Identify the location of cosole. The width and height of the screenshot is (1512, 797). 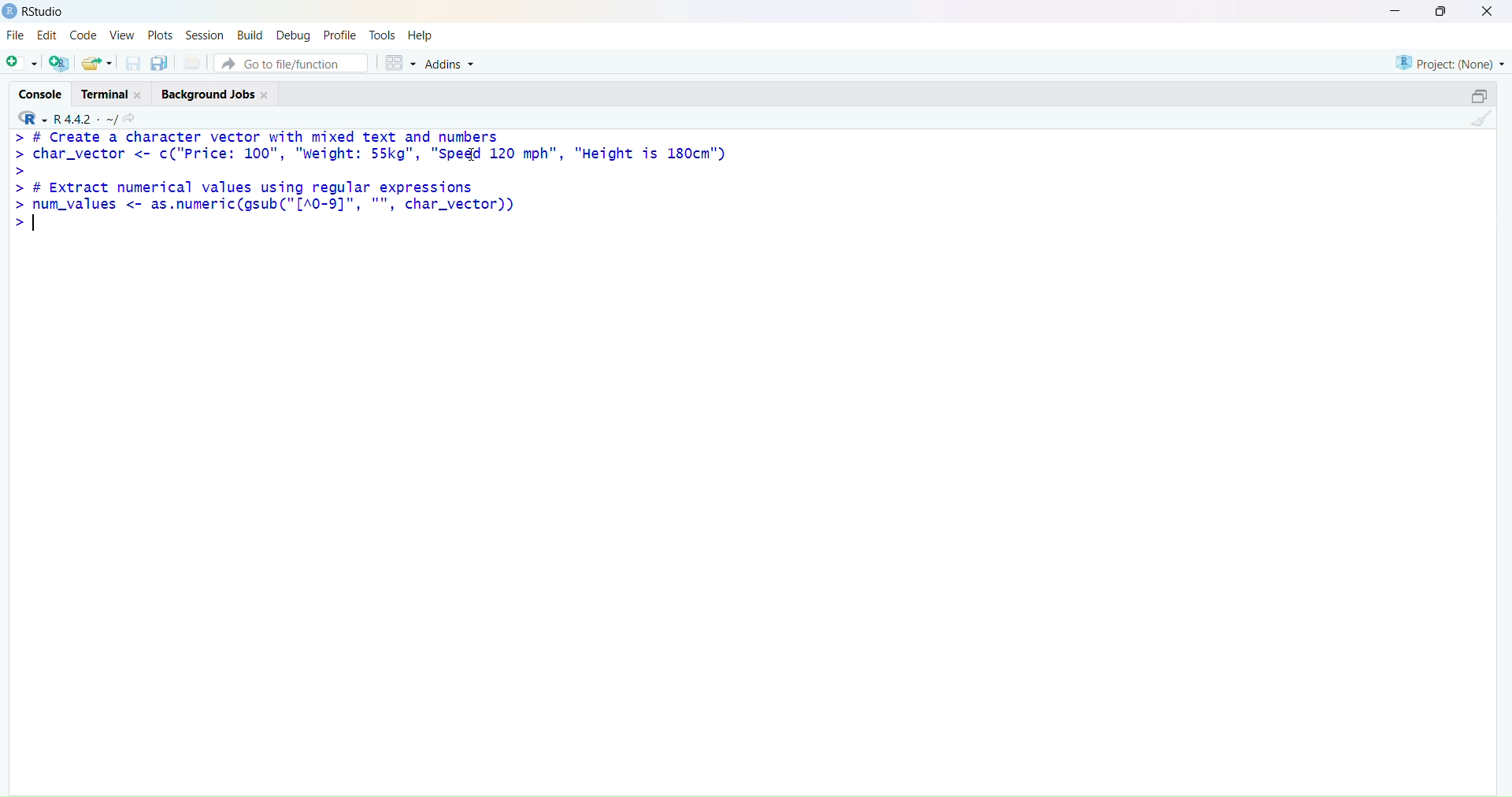
(41, 95).